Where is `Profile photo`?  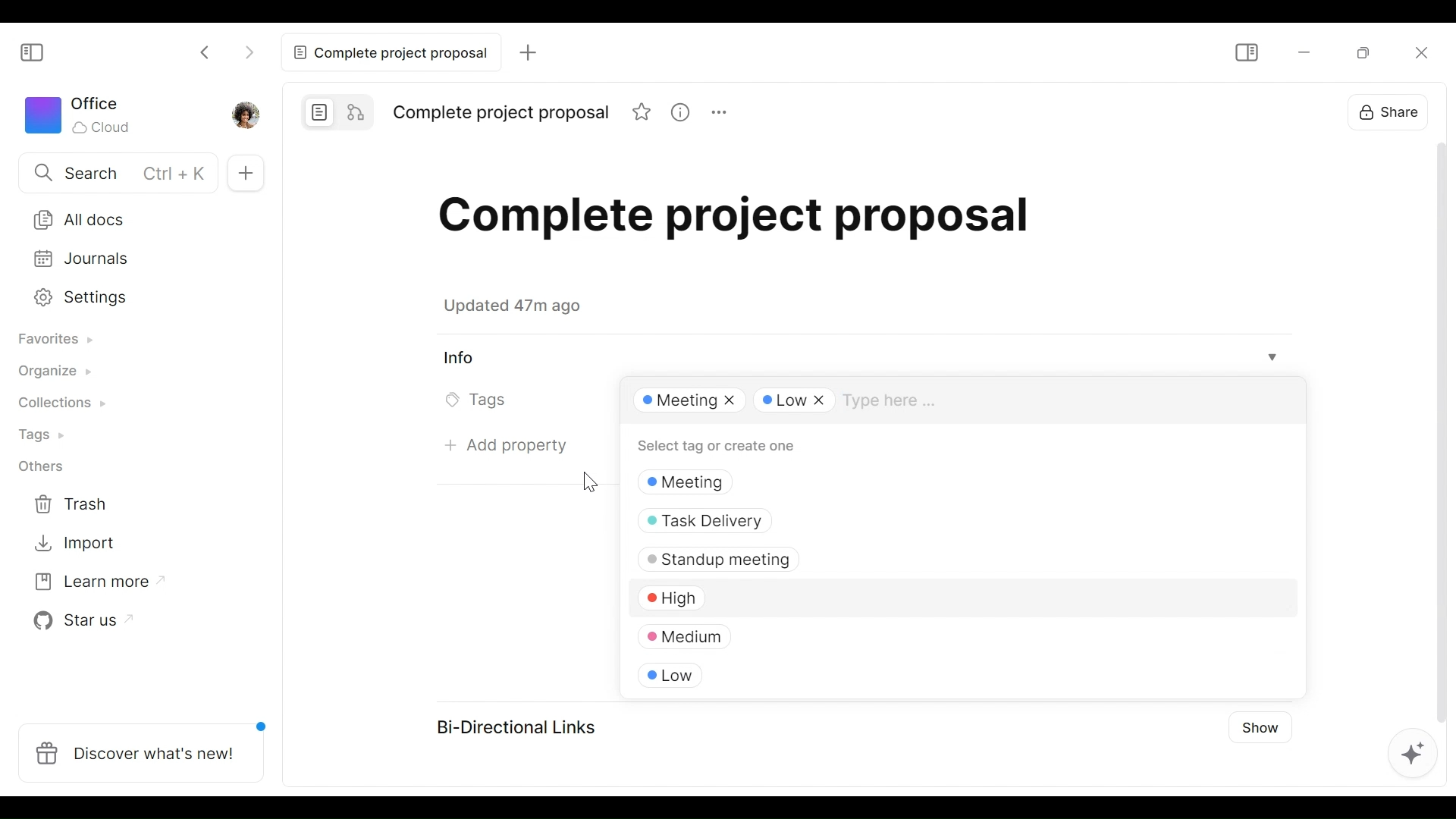
Profile photo is located at coordinates (244, 115).